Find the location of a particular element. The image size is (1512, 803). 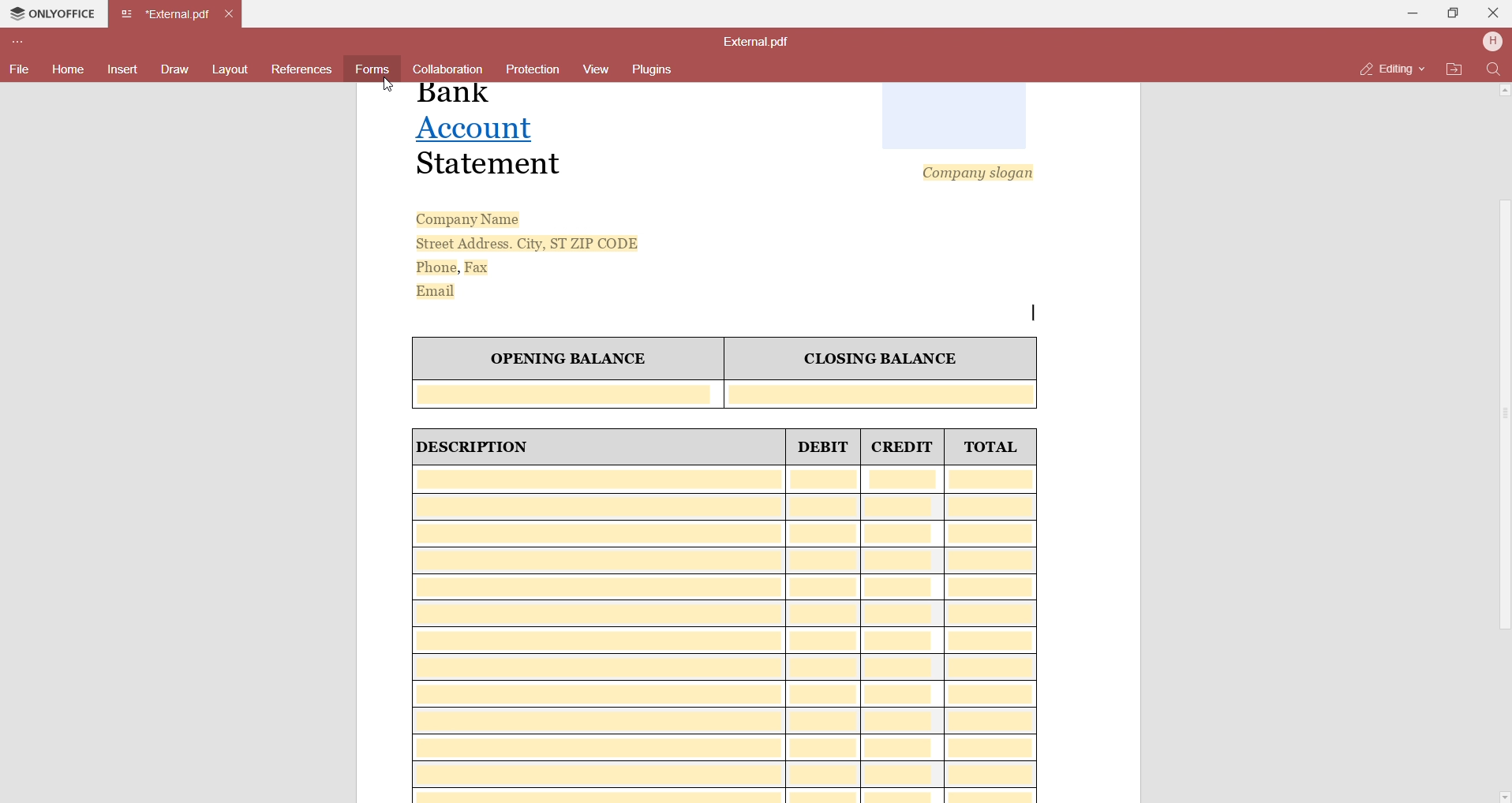

Text cursor is located at coordinates (1035, 313).